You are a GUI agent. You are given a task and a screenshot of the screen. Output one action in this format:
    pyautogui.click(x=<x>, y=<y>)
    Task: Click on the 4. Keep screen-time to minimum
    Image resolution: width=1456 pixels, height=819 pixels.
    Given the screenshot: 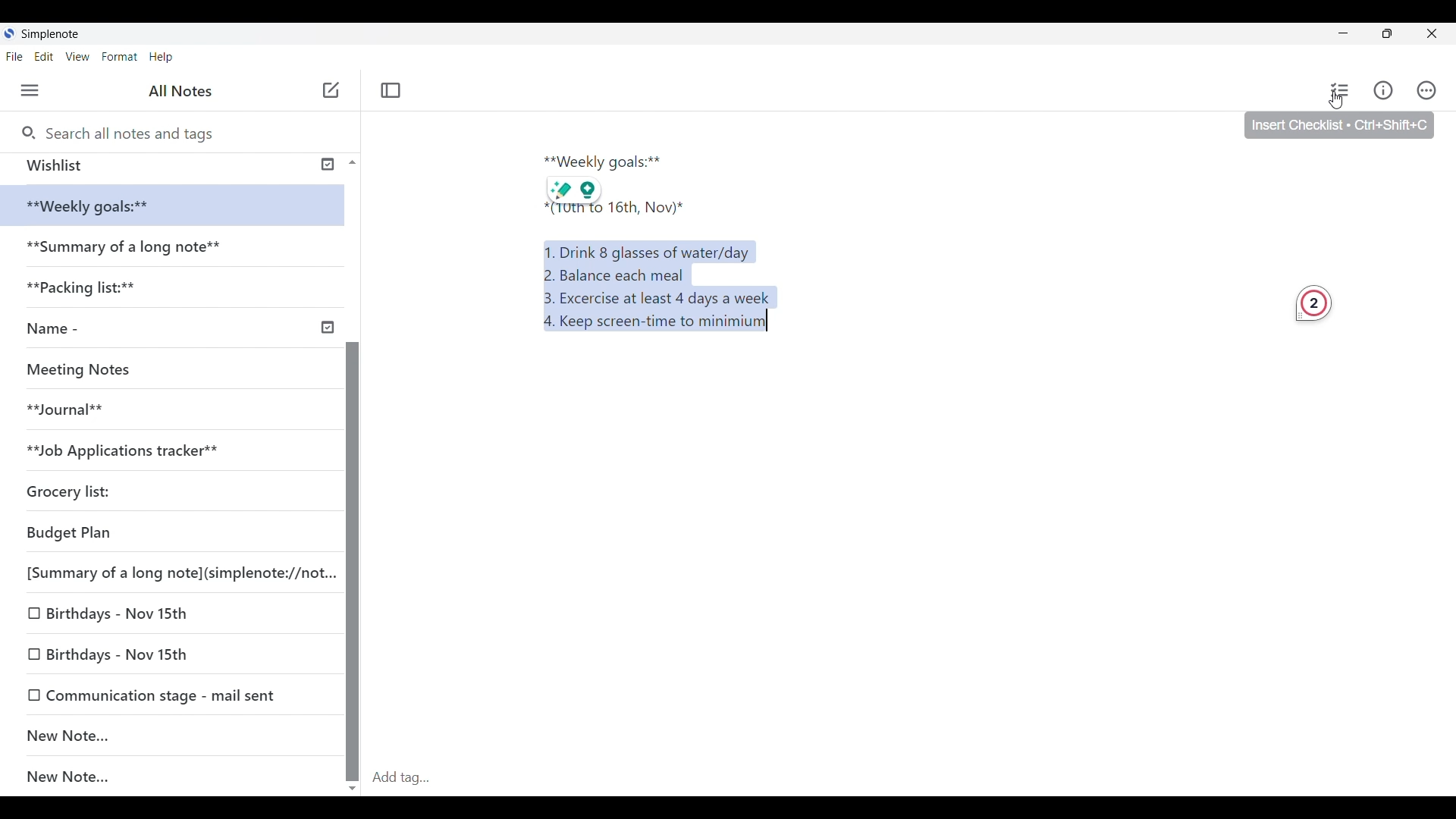 What is the action you would take?
    pyautogui.click(x=651, y=325)
    